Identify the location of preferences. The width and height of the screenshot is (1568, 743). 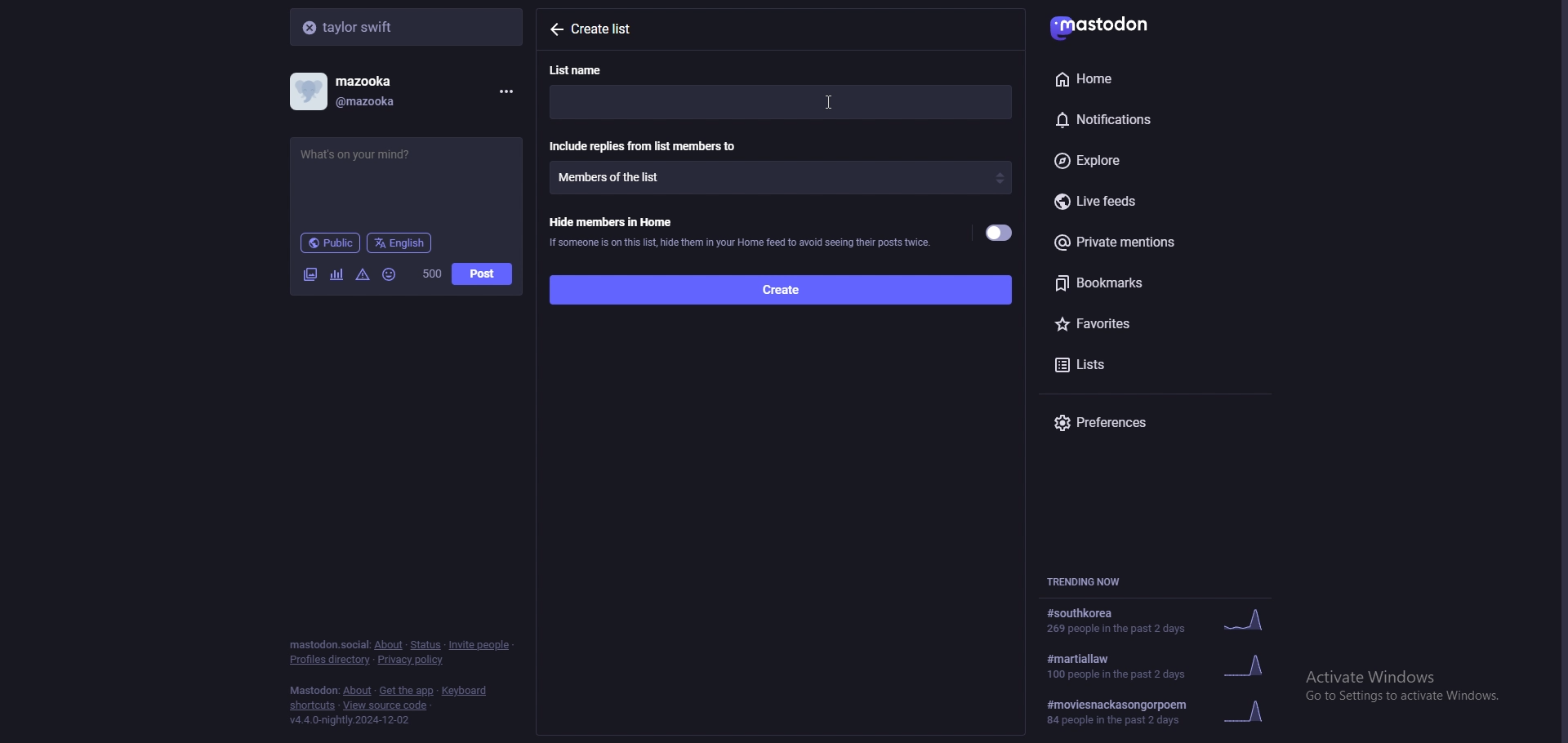
(1160, 422).